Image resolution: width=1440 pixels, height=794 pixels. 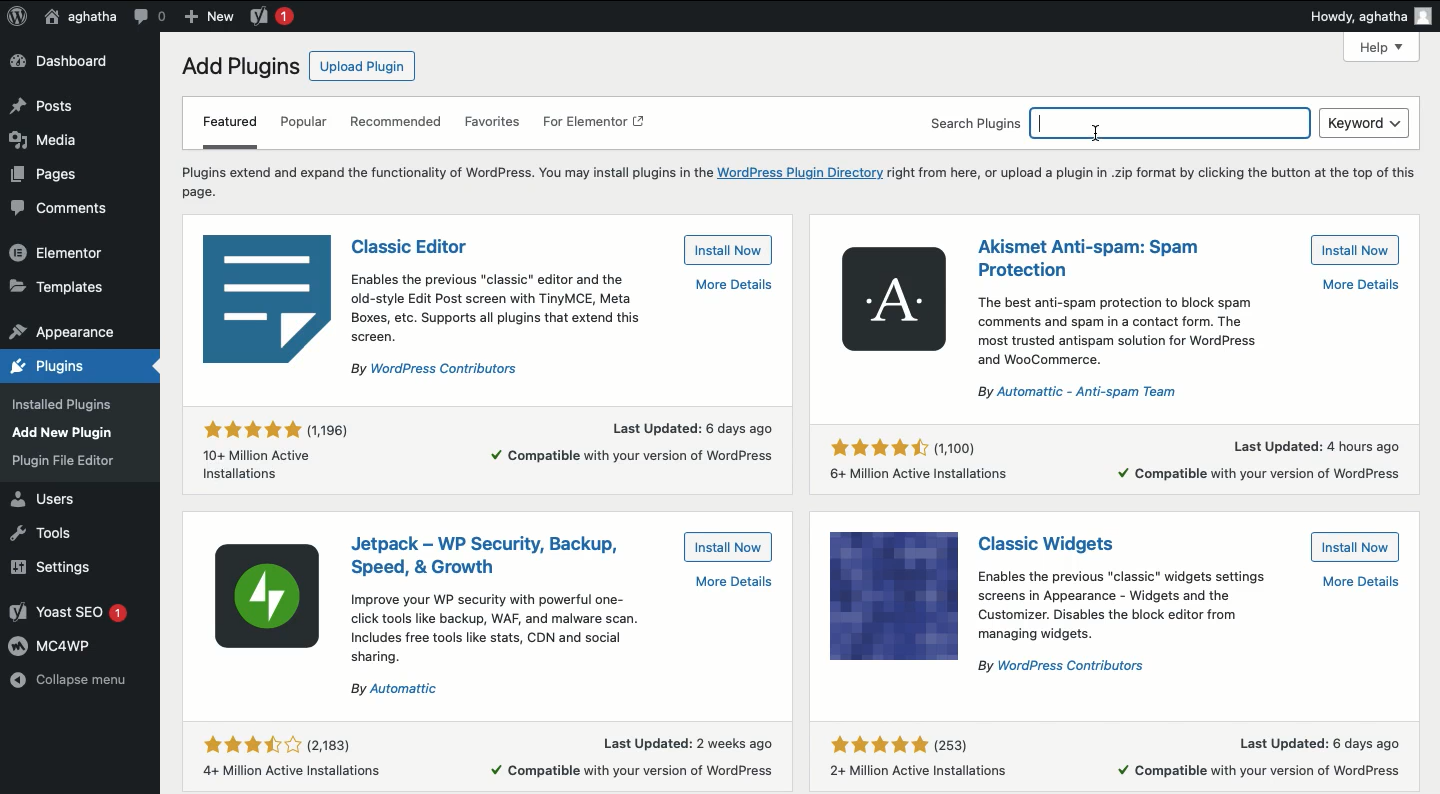 I want to click on Install now, so click(x=728, y=546).